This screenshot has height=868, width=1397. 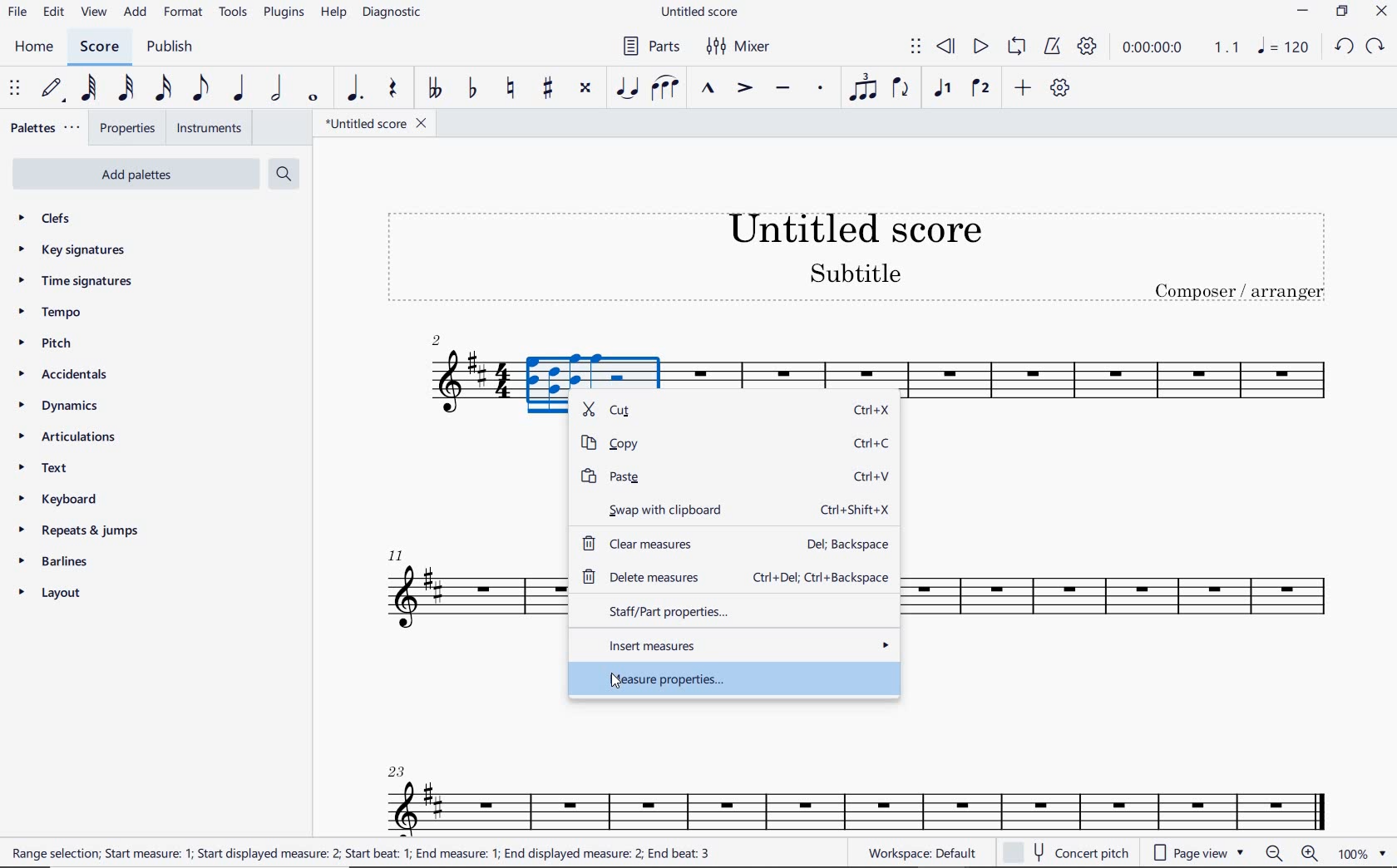 What do you see at coordinates (357, 89) in the screenshot?
I see `AUGMENTATION DOT` at bounding box center [357, 89].